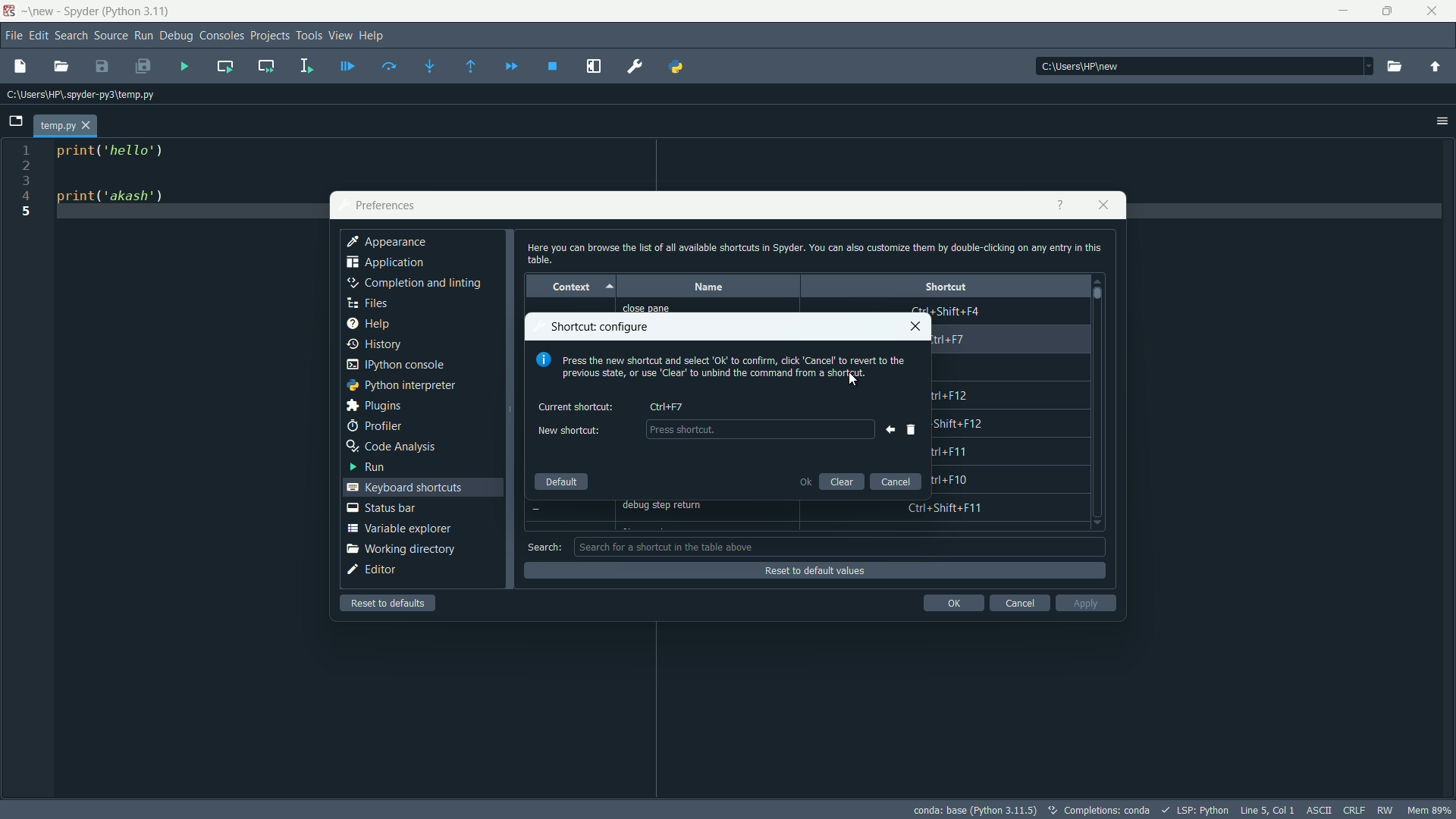 The image size is (1456, 819). I want to click on debug file, so click(347, 67).